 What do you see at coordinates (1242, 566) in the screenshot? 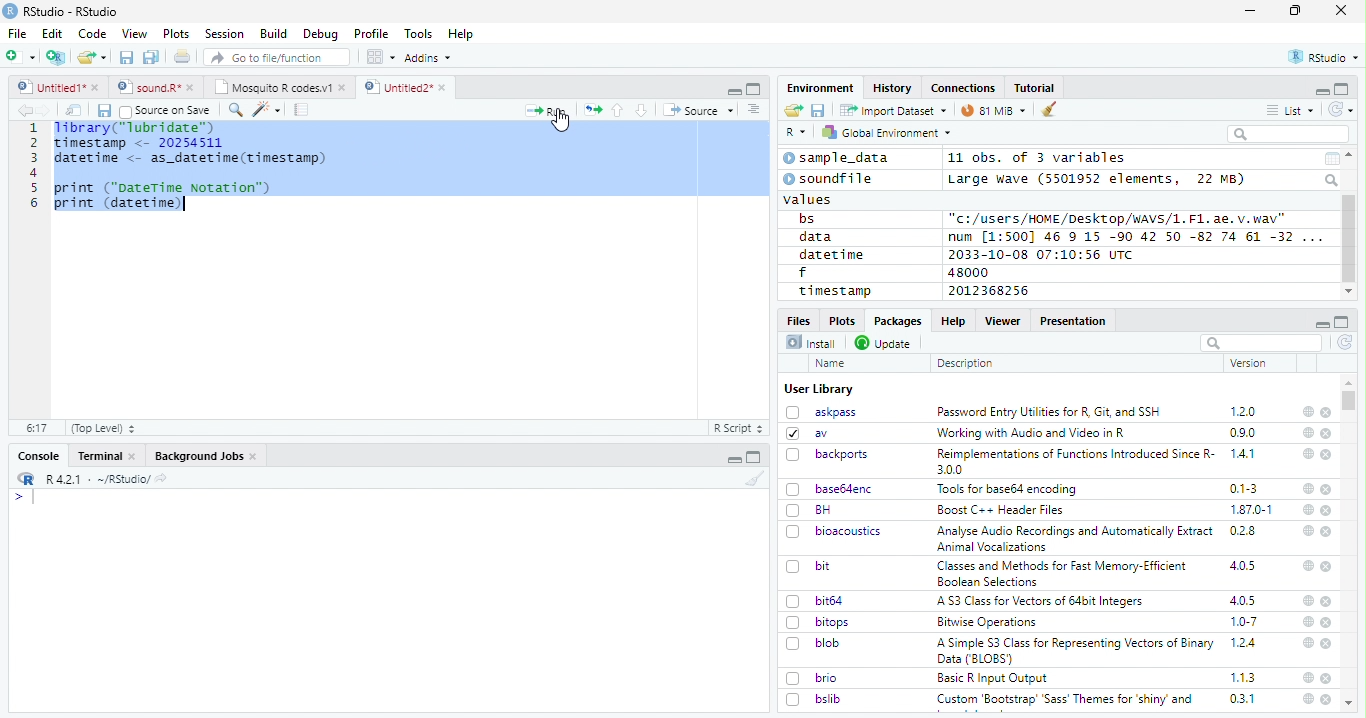
I see `4.0.5` at bounding box center [1242, 566].